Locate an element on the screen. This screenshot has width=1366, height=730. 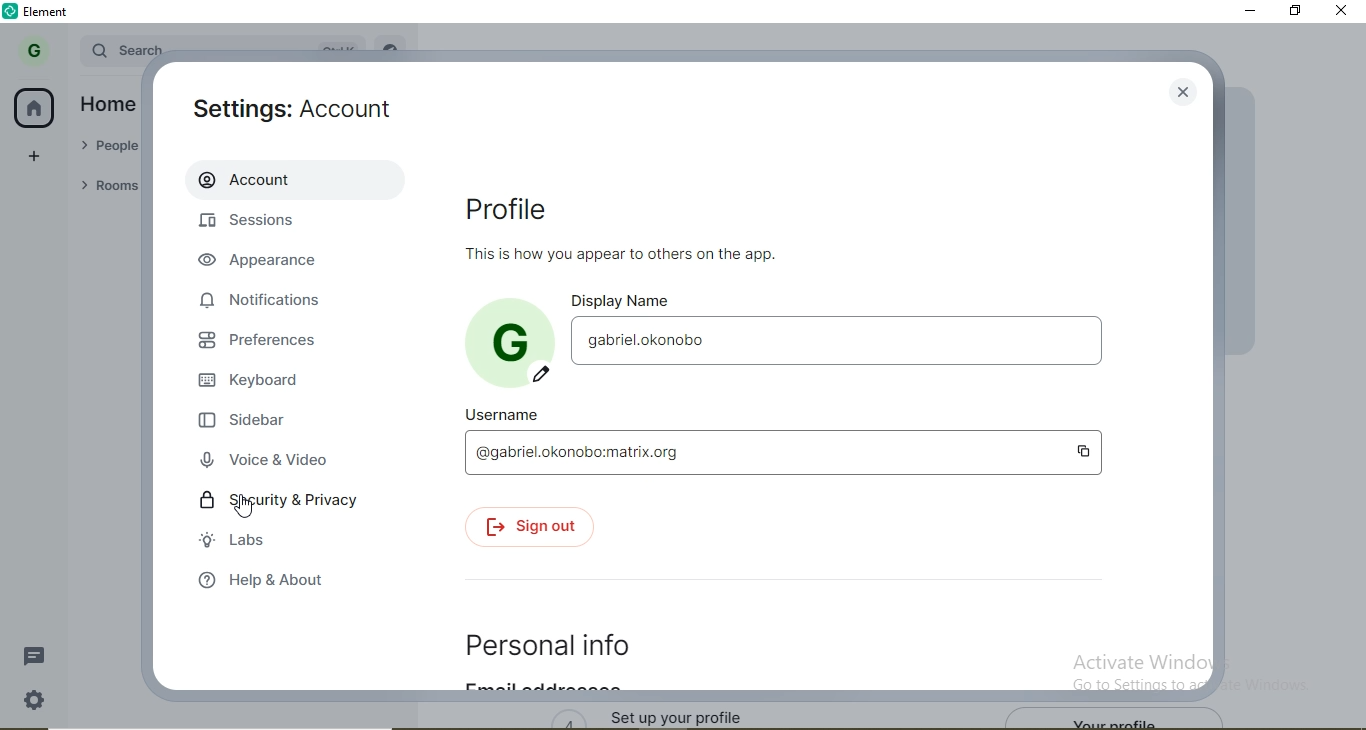
close is located at coordinates (1343, 12).